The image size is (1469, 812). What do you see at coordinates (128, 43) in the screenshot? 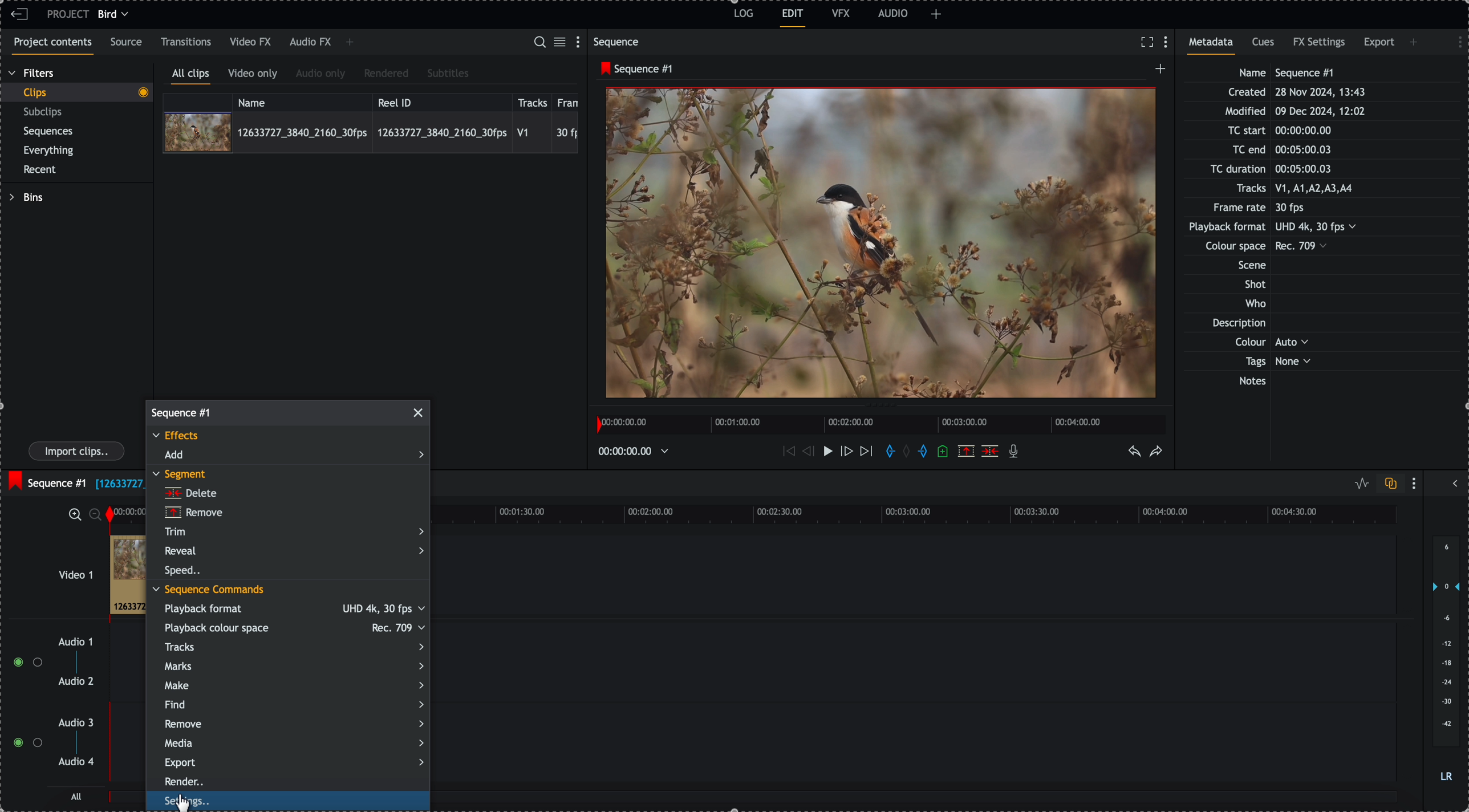
I see `source` at bounding box center [128, 43].